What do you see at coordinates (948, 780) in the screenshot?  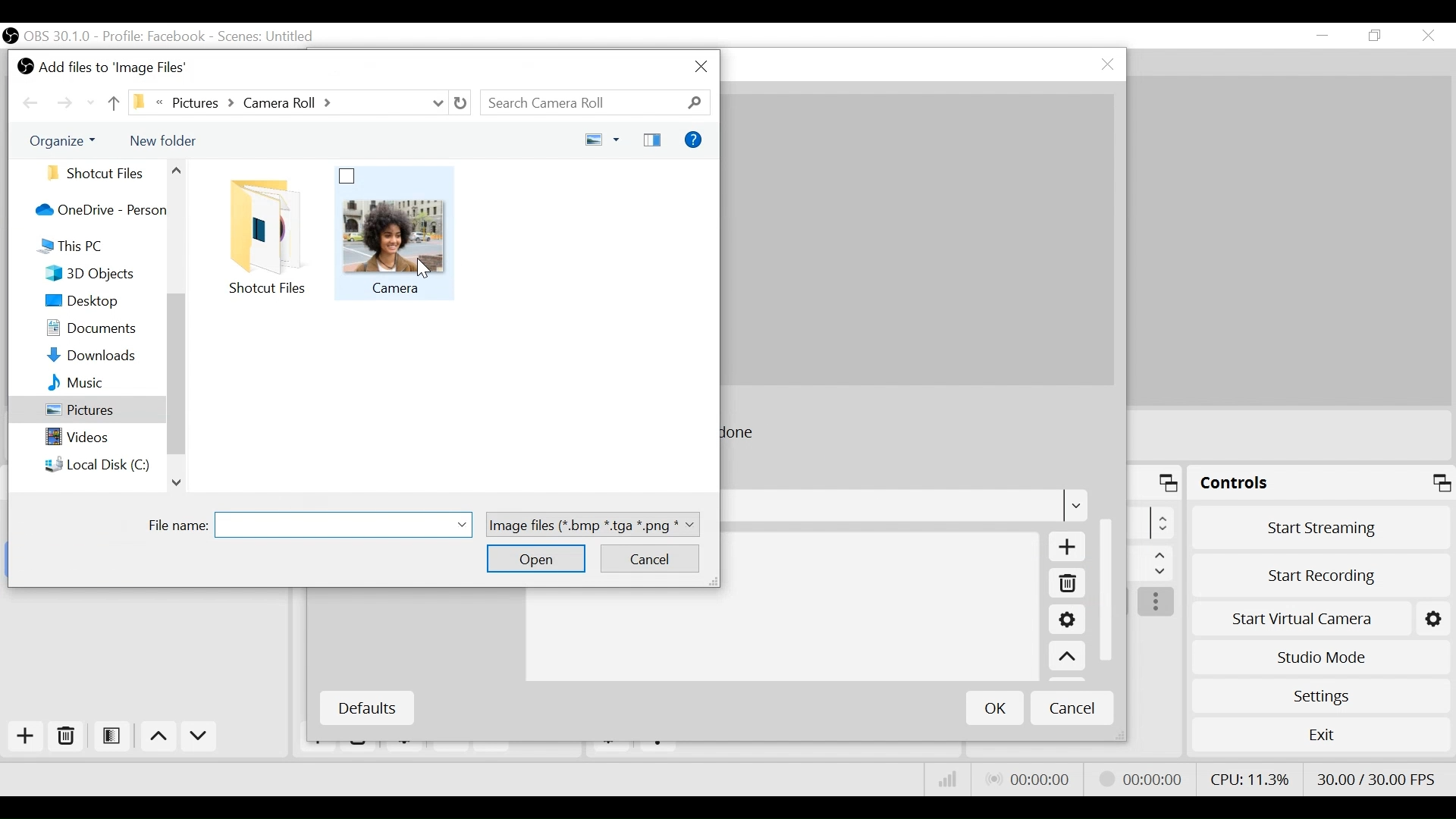 I see `Bitrate` at bounding box center [948, 780].